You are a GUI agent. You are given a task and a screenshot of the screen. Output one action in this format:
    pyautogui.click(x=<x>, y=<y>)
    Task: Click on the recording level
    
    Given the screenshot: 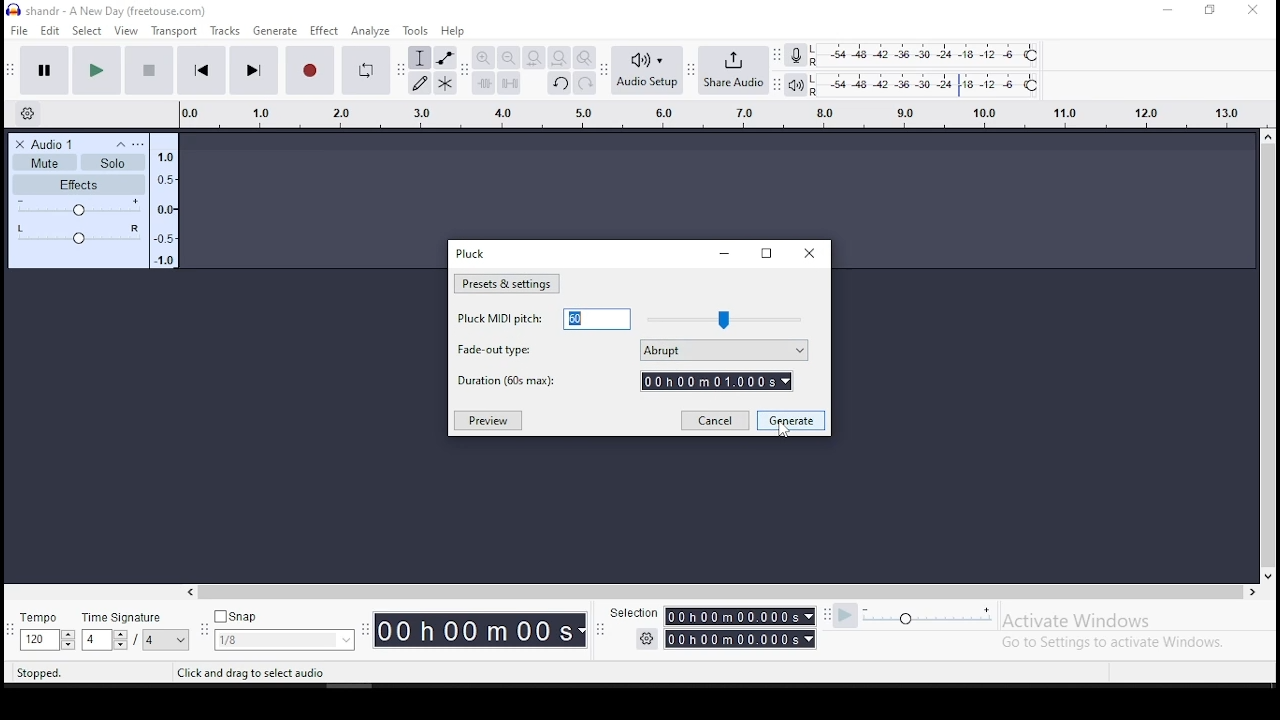 What is the action you would take?
    pyautogui.click(x=929, y=53)
    